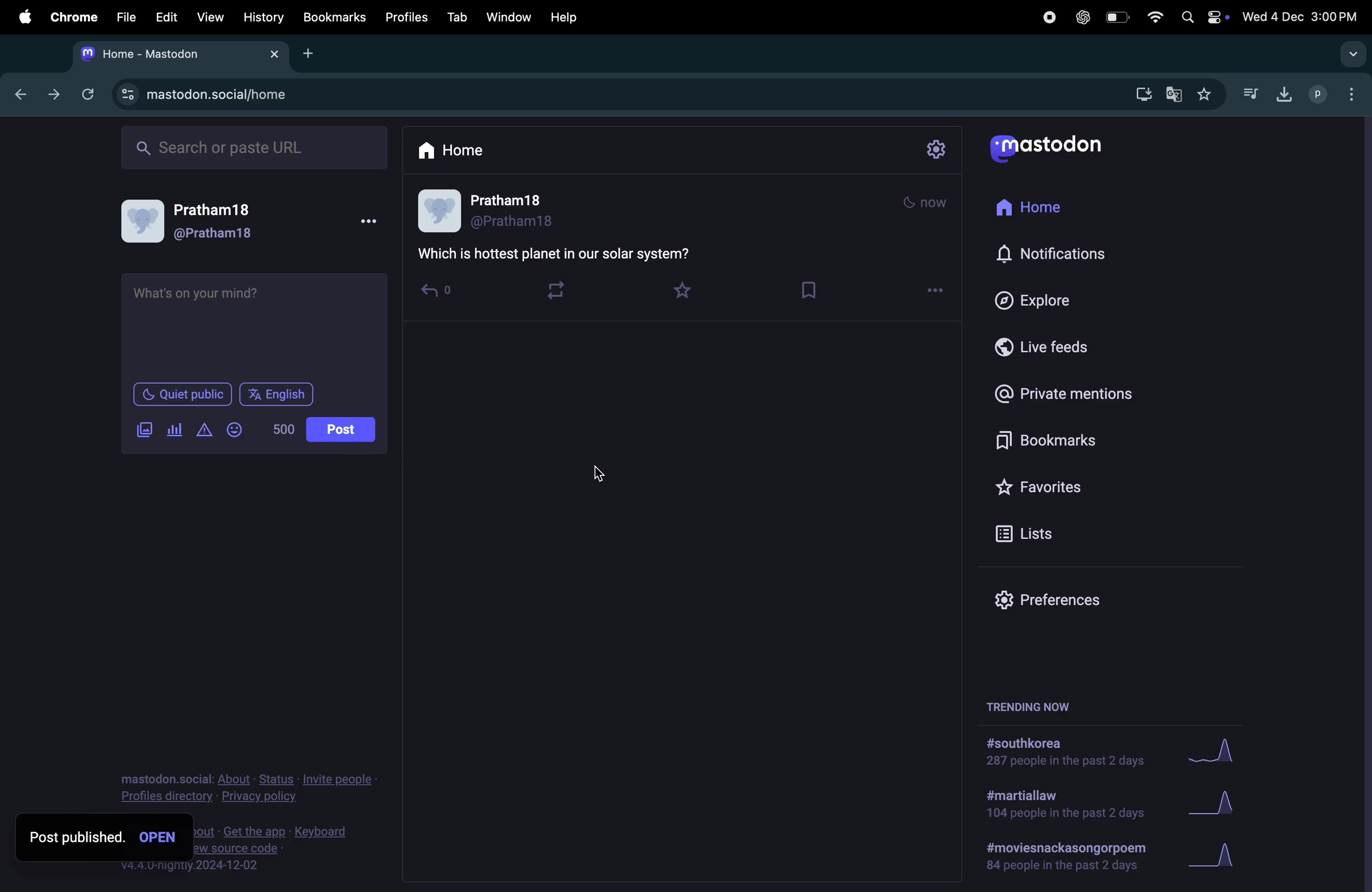 The height and width of the screenshot is (892, 1372). What do you see at coordinates (455, 152) in the screenshot?
I see `home` at bounding box center [455, 152].